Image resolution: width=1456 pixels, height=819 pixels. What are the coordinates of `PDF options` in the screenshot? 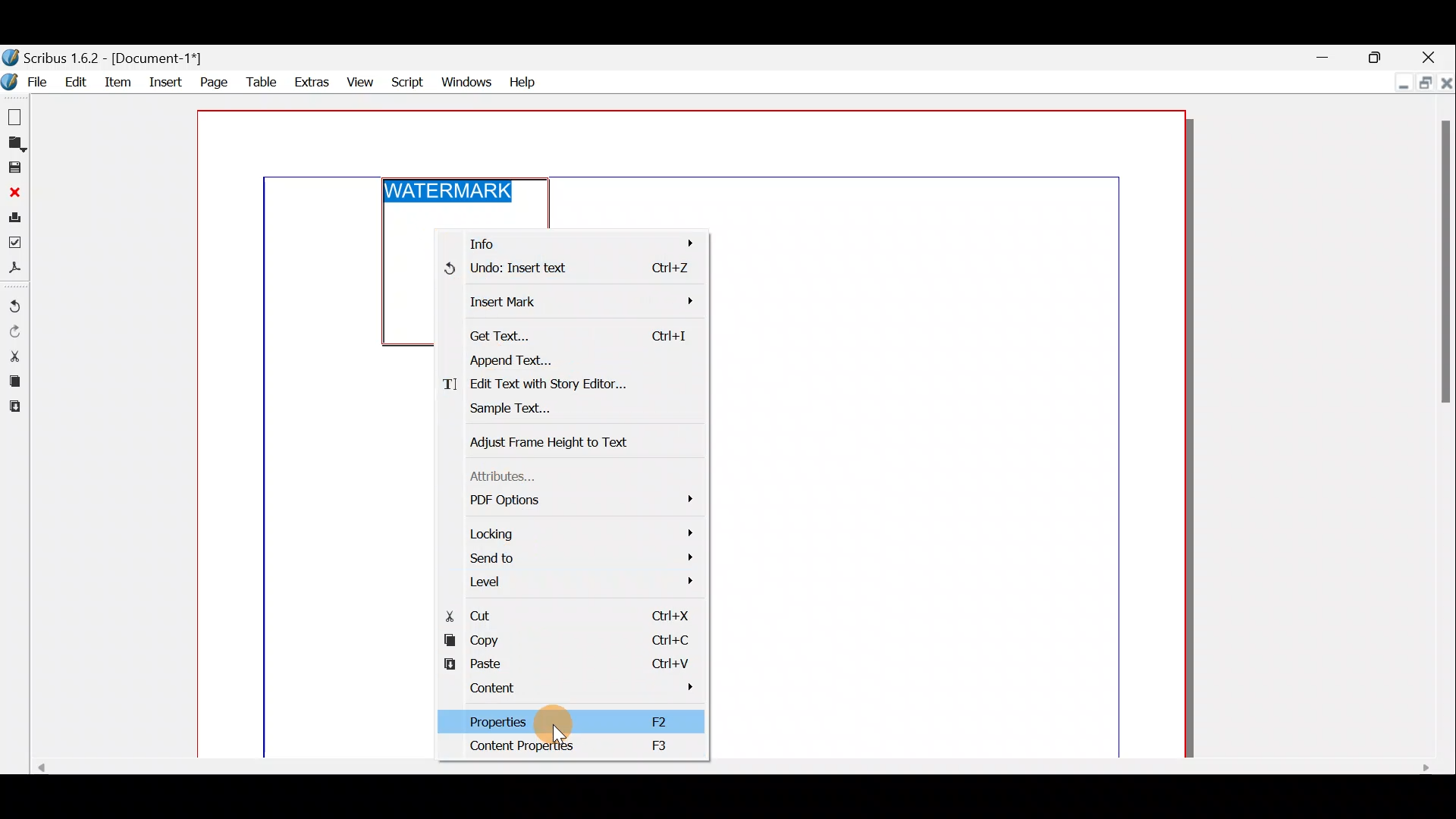 It's located at (575, 498).